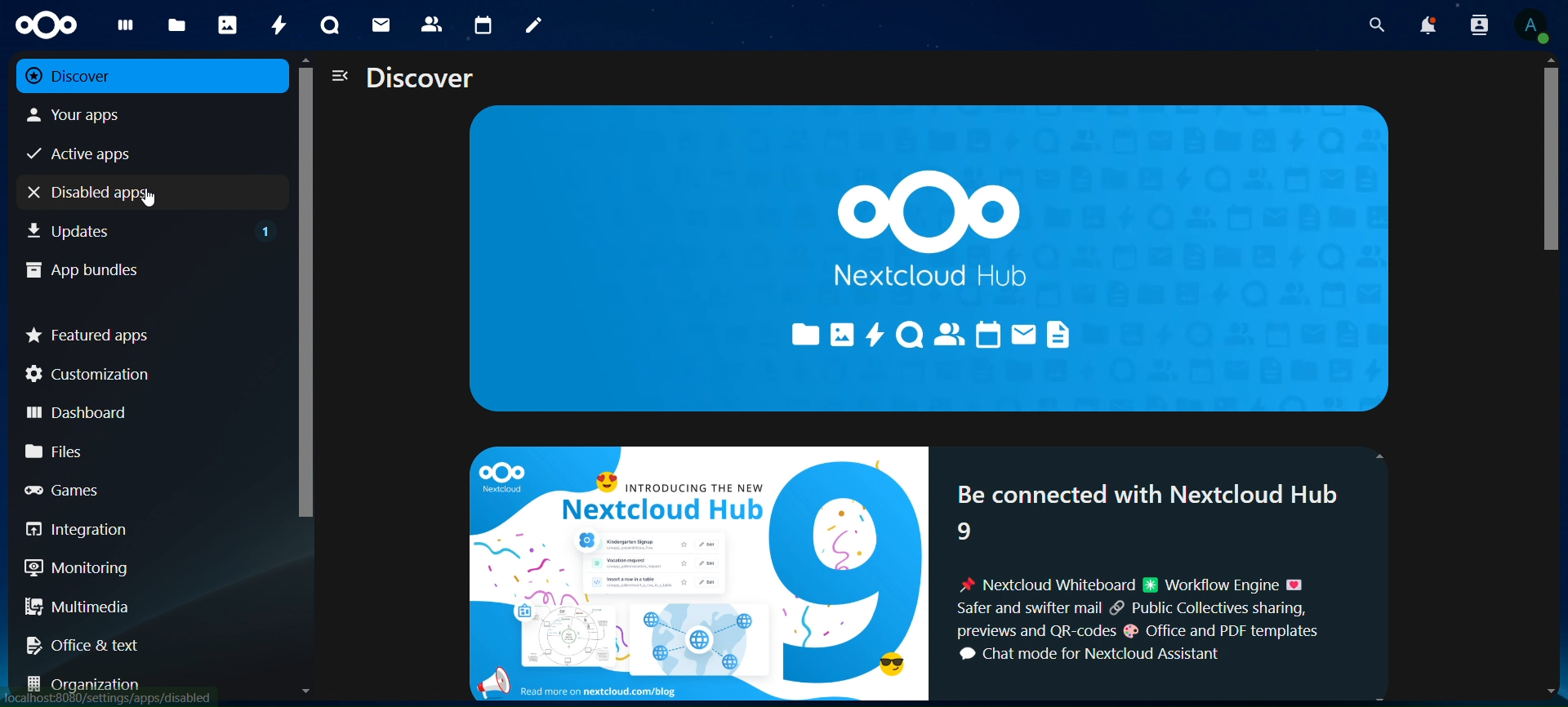 This screenshot has height=707, width=1568. I want to click on monitoring, so click(137, 567).